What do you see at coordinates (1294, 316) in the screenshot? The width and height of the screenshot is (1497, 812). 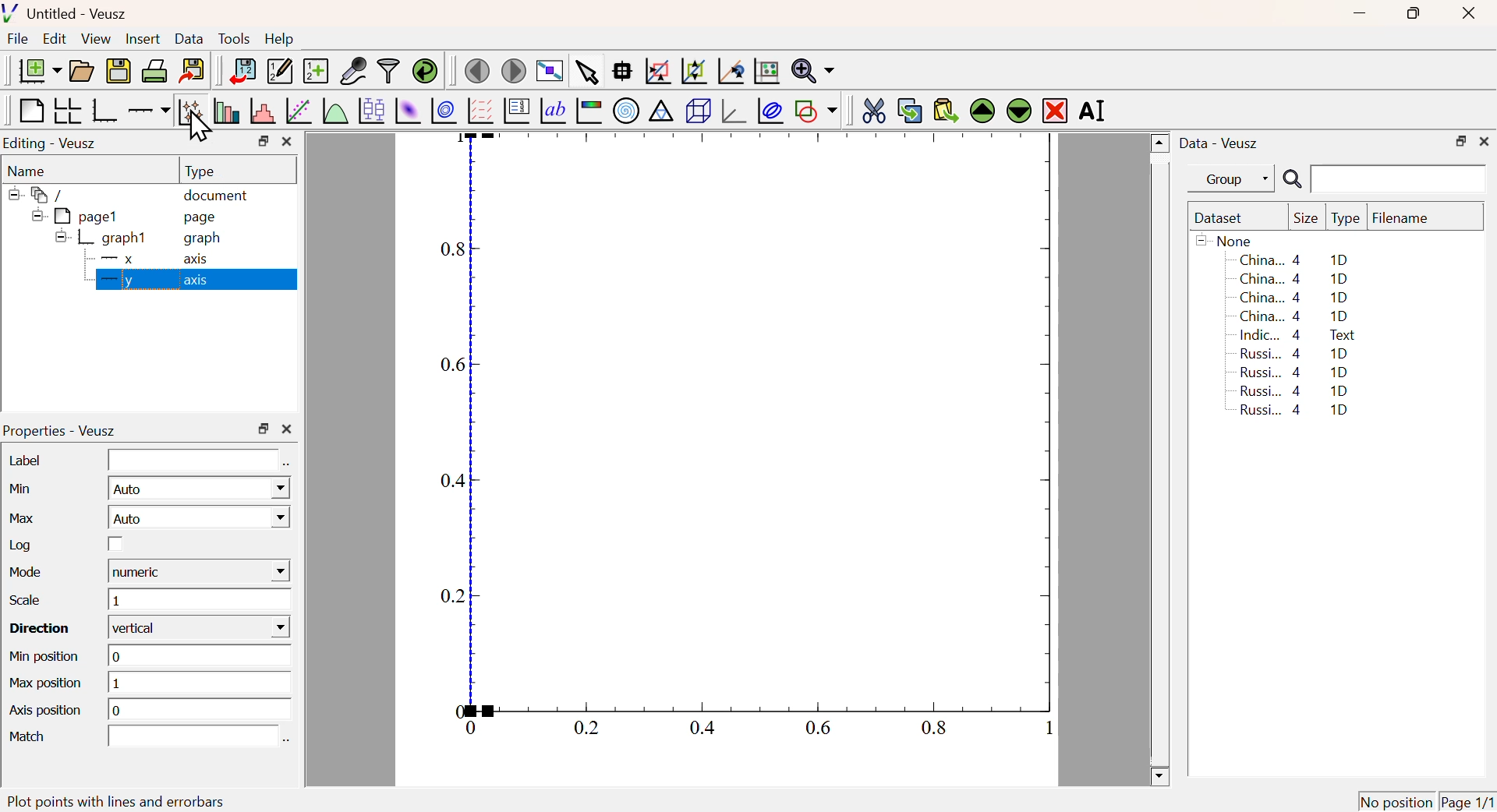 I see `China... 4 1D` at bounding box center [1294, 316].